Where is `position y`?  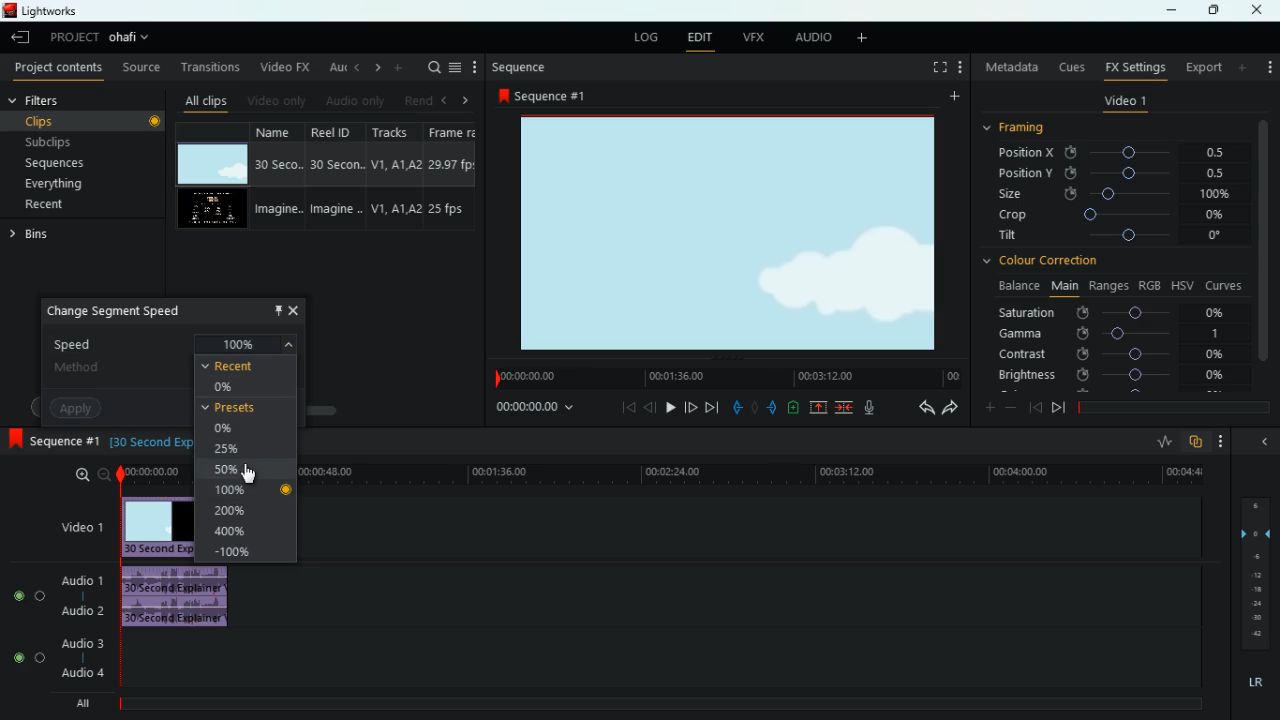
position y is located at coordinates (1115, 173).